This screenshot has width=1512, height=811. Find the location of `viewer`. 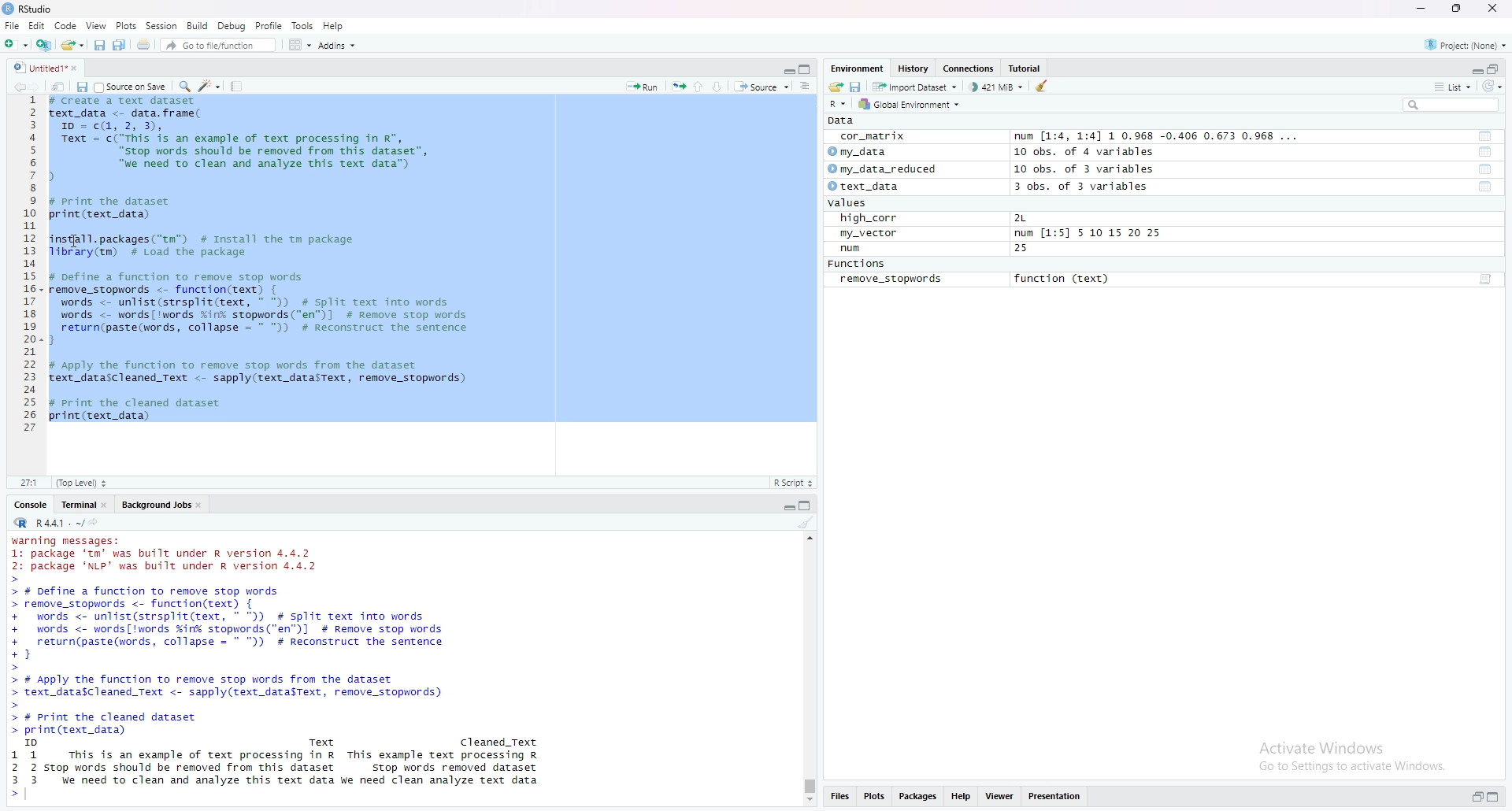

viewer is located at coordinates (999, 795).